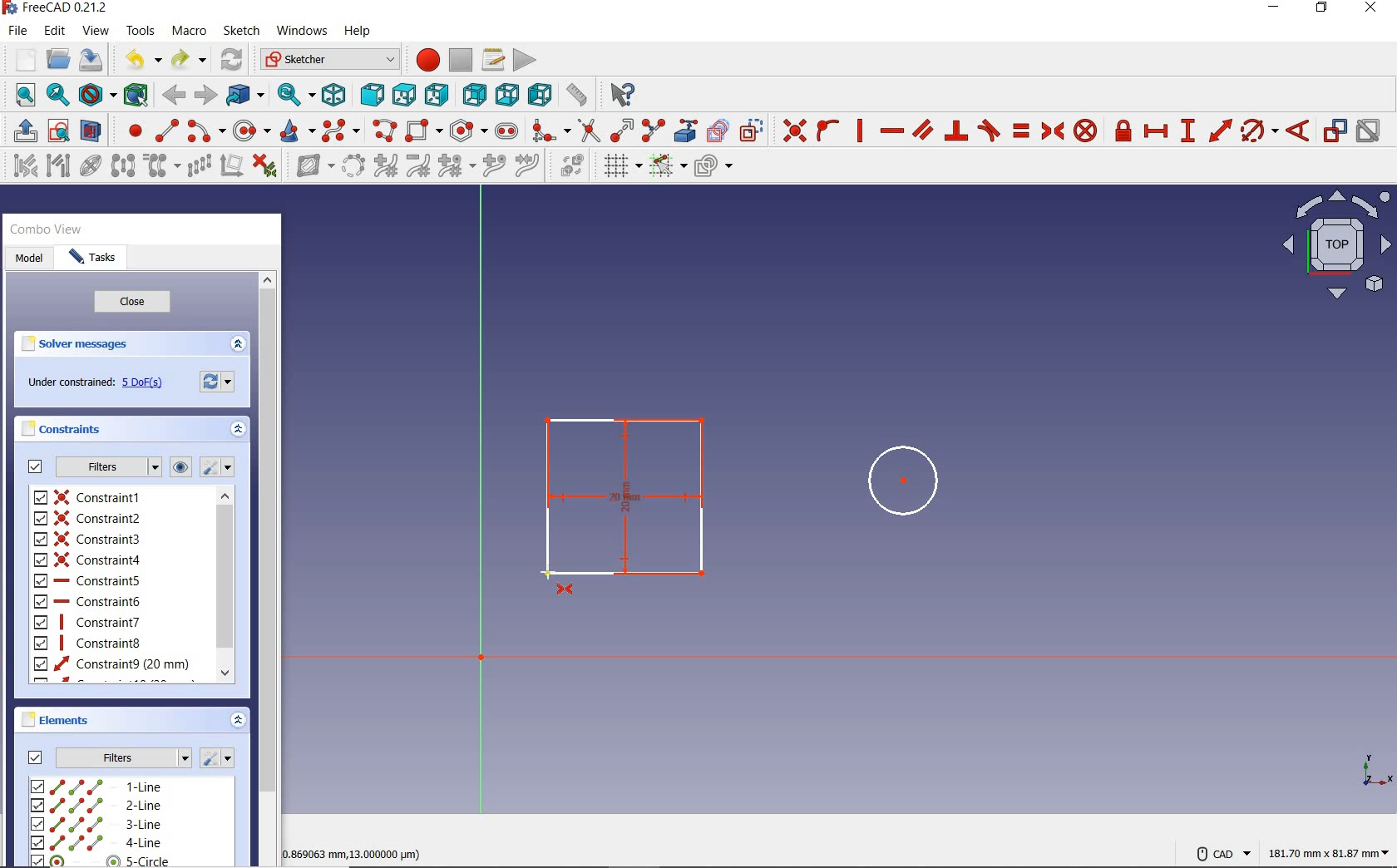  What do you see at coordinates (827, 131) in the screenshot?
I see `constrain point onto object` at bounding box center [827, 131].